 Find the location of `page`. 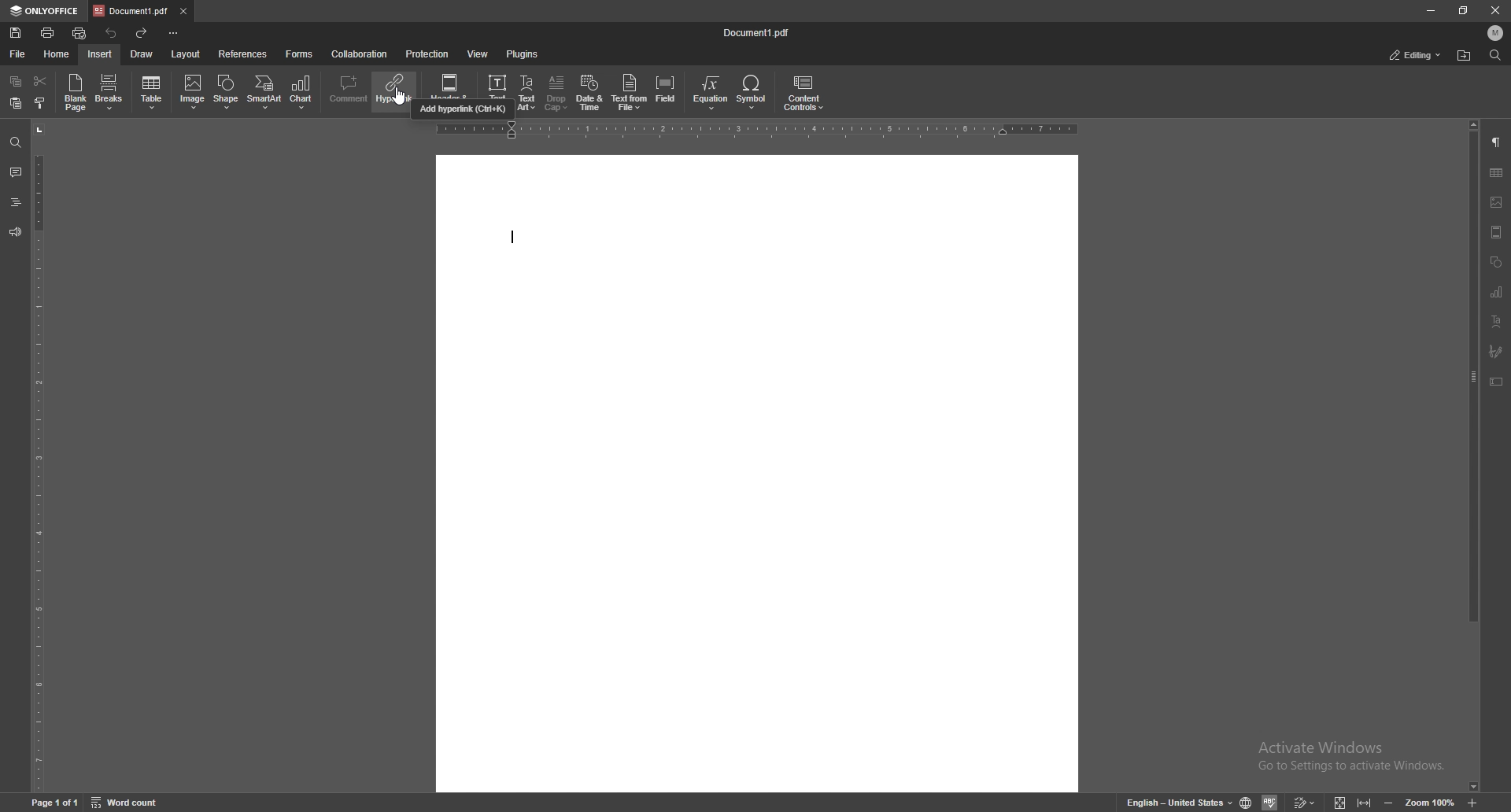

page is located at coordinates (56, 803).